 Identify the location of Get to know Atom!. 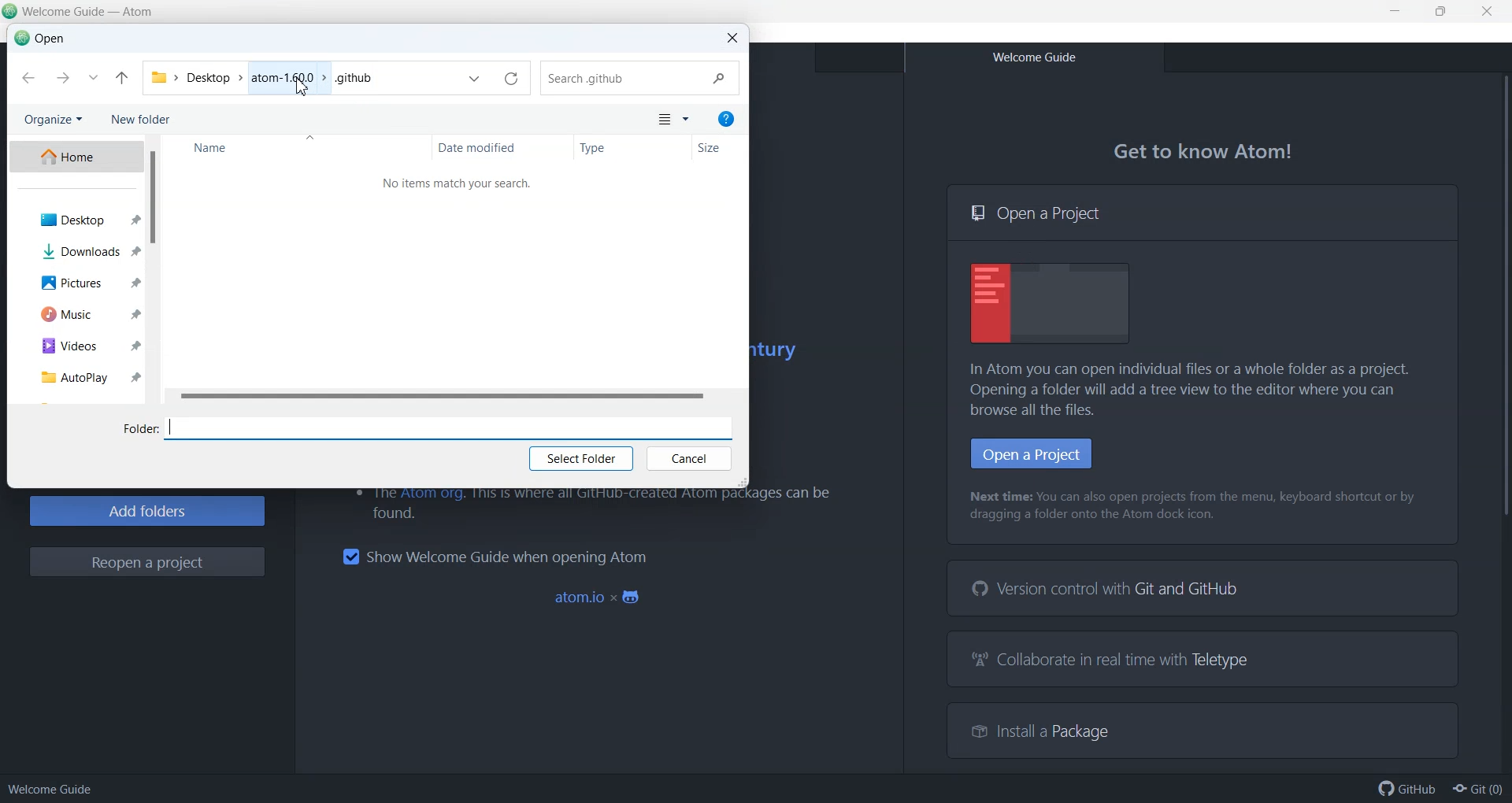
(1205, 152).